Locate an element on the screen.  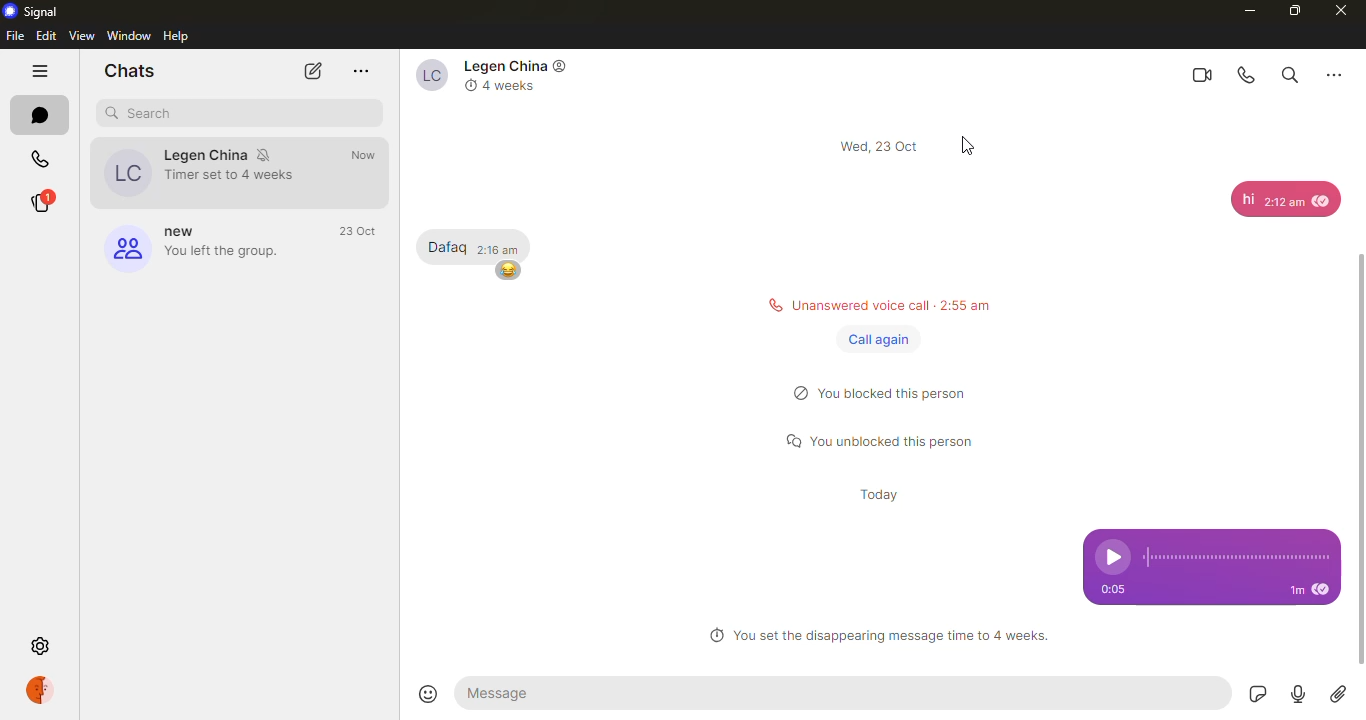
seen is located at coordinates (1325, 592).